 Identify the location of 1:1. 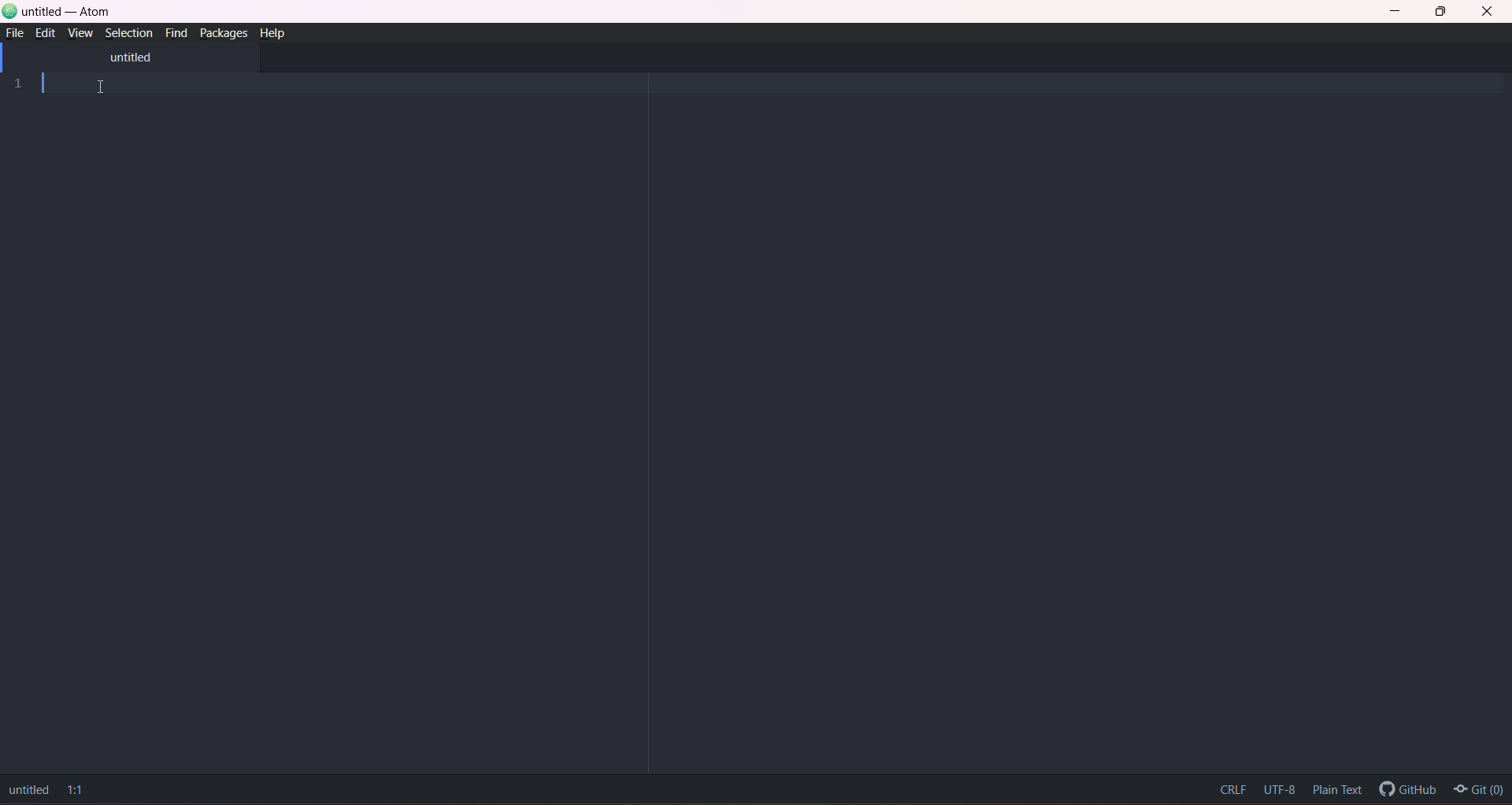
(77, 790).